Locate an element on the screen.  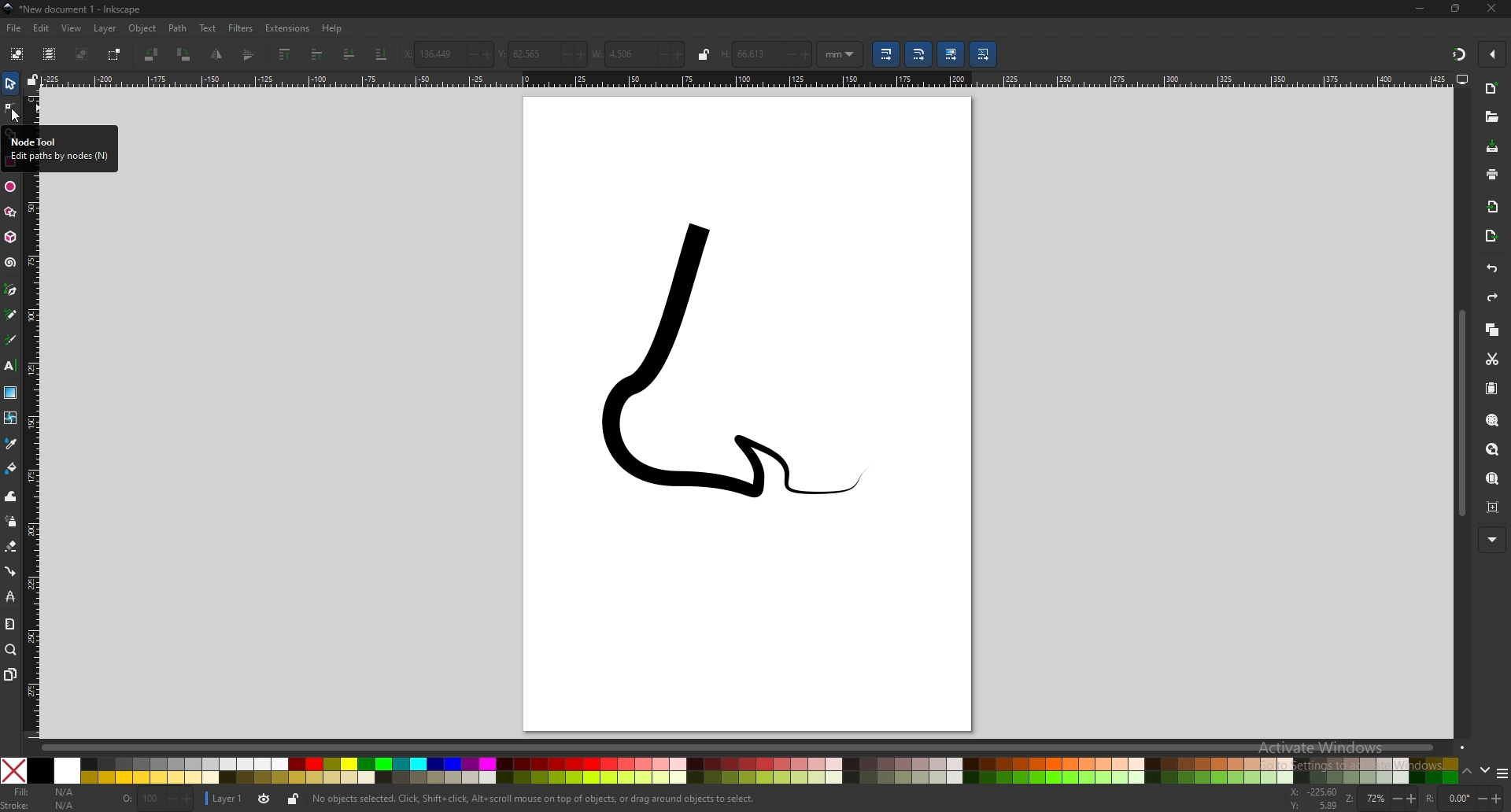
view is located at coordinates (74, 28).